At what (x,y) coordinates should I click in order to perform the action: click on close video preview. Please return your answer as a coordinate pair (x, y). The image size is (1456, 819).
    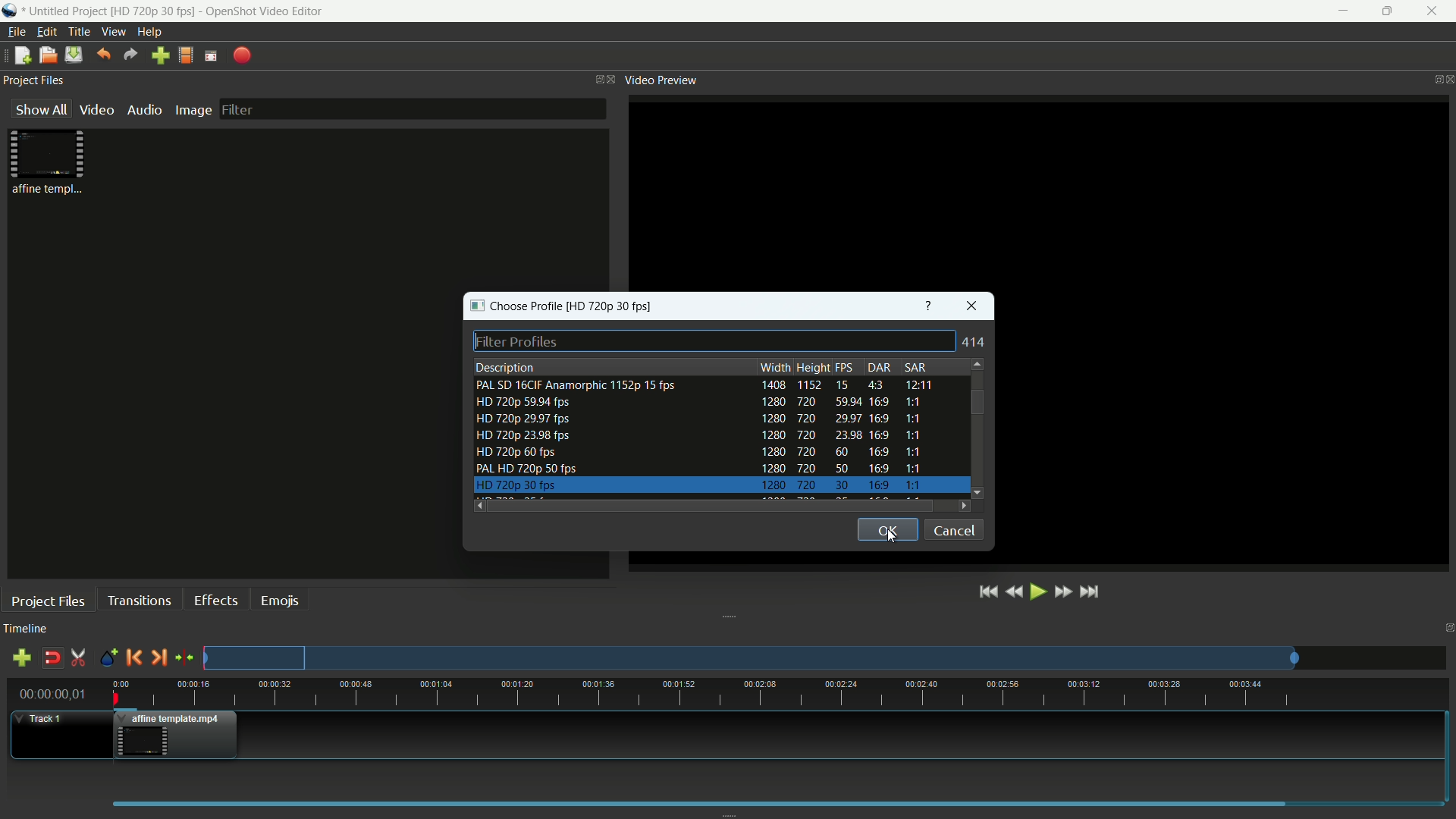
    Looking at the image, I should click on (1447, 78).